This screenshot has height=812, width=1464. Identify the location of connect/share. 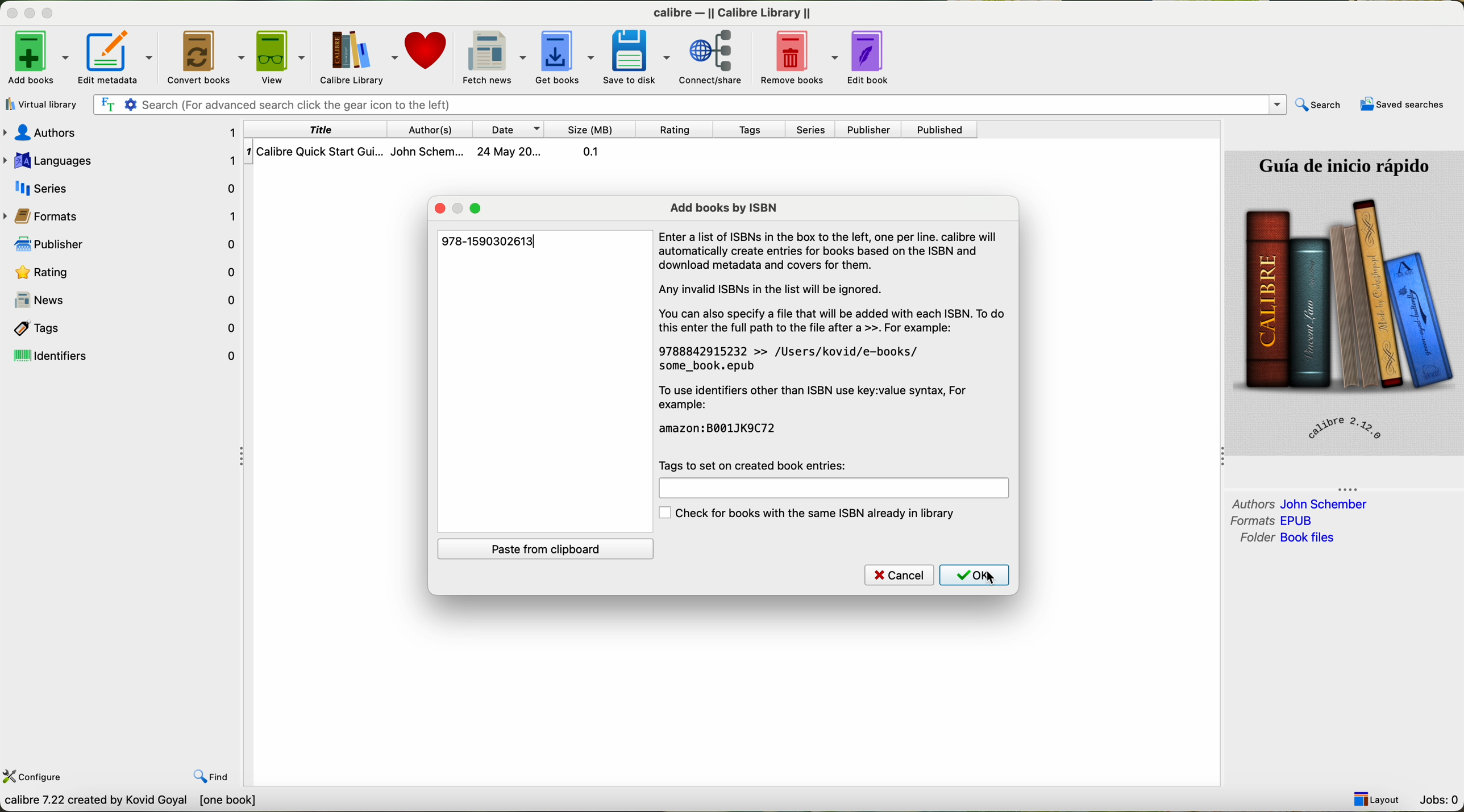
(710, 59).